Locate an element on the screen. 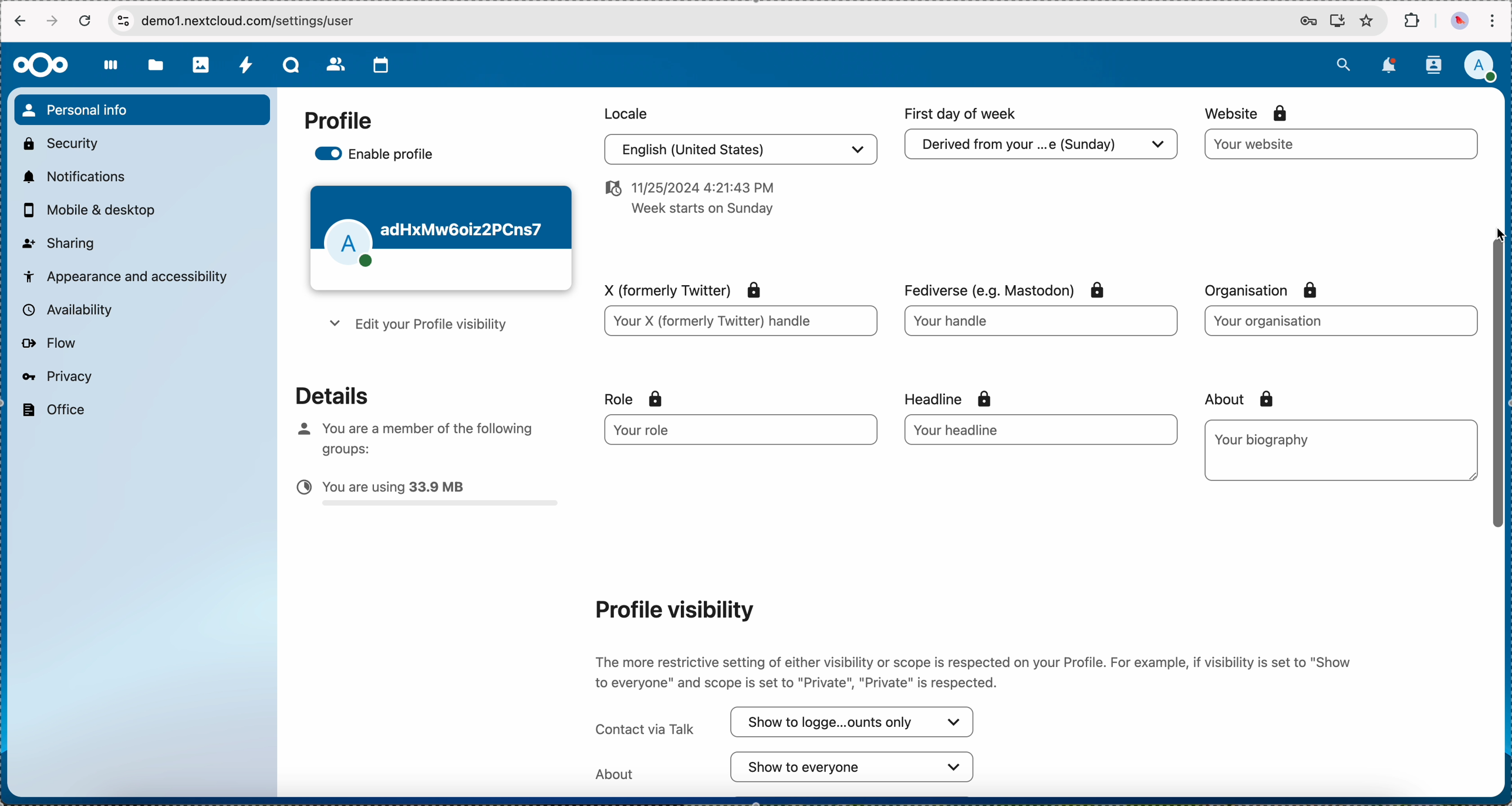 The width and height of the screenshot is (1512, 806). privacy is located at coordinates (56, 376).